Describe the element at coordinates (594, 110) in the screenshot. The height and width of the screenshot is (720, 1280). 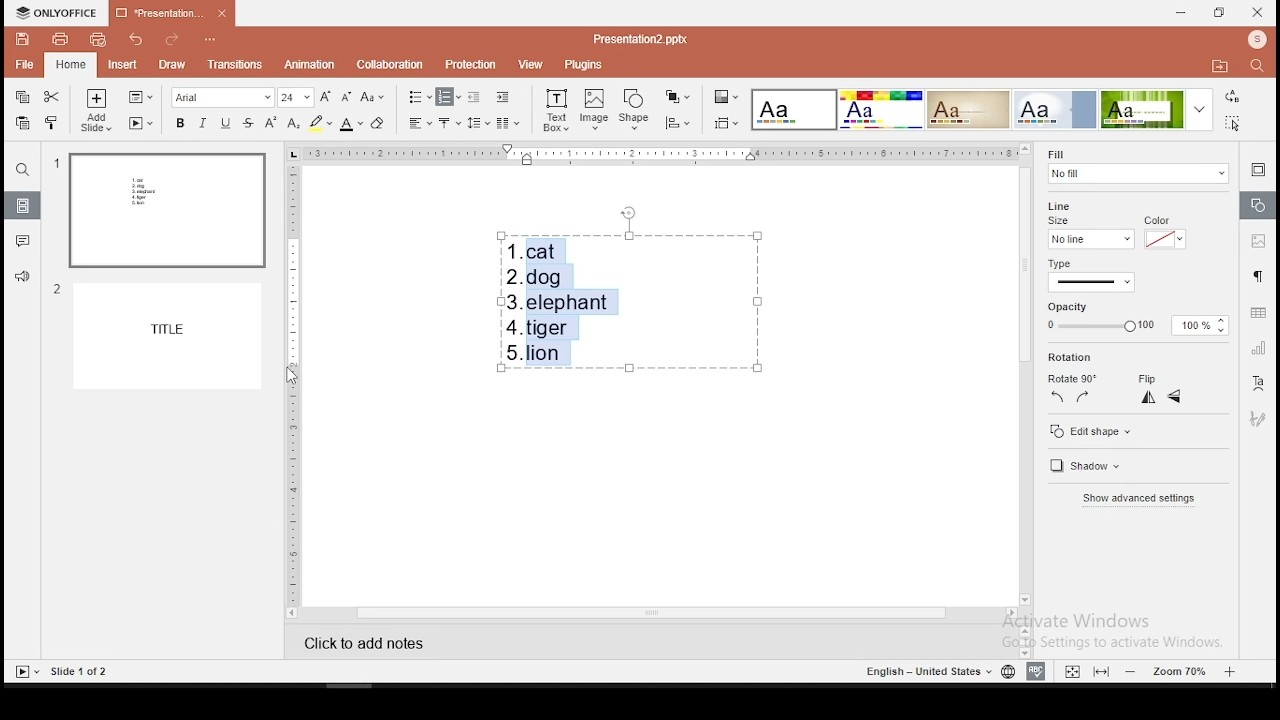
I see `image` at that location.